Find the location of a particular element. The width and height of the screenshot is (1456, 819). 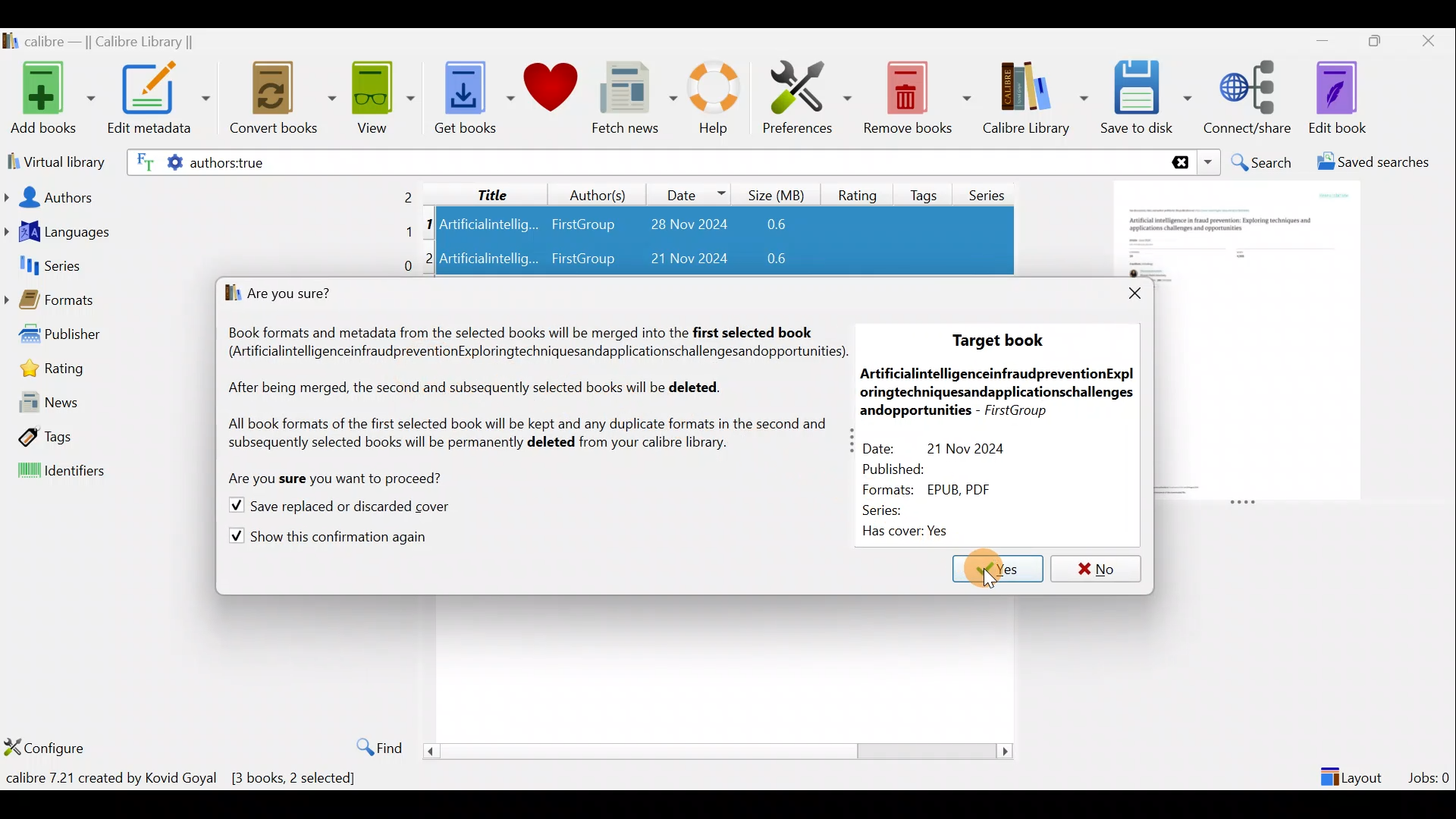

Scroll bar is located at coordinates (712, 751).